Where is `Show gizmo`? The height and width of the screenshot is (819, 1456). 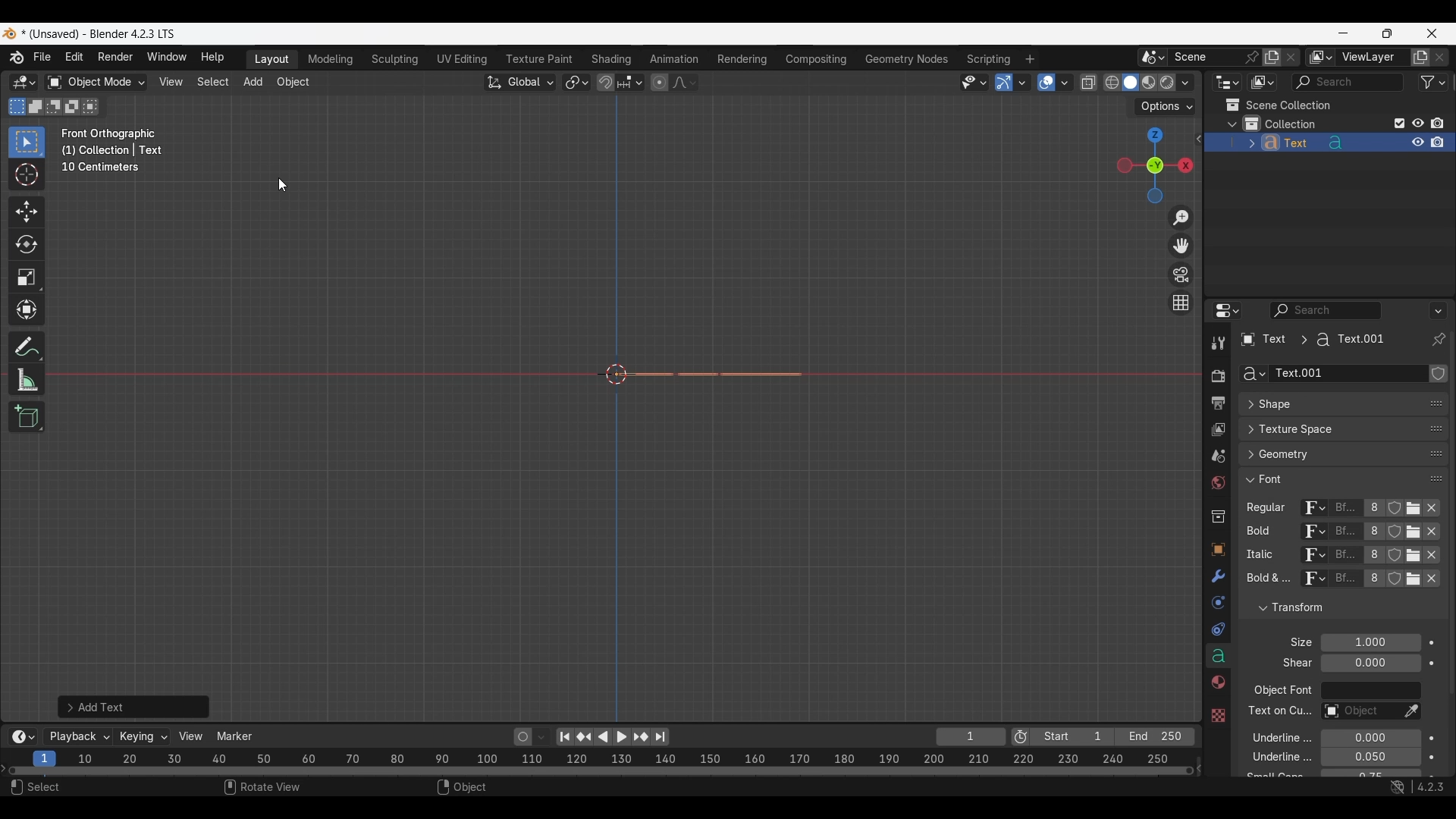
Show gizmo is located at coordinates (1004, 83).